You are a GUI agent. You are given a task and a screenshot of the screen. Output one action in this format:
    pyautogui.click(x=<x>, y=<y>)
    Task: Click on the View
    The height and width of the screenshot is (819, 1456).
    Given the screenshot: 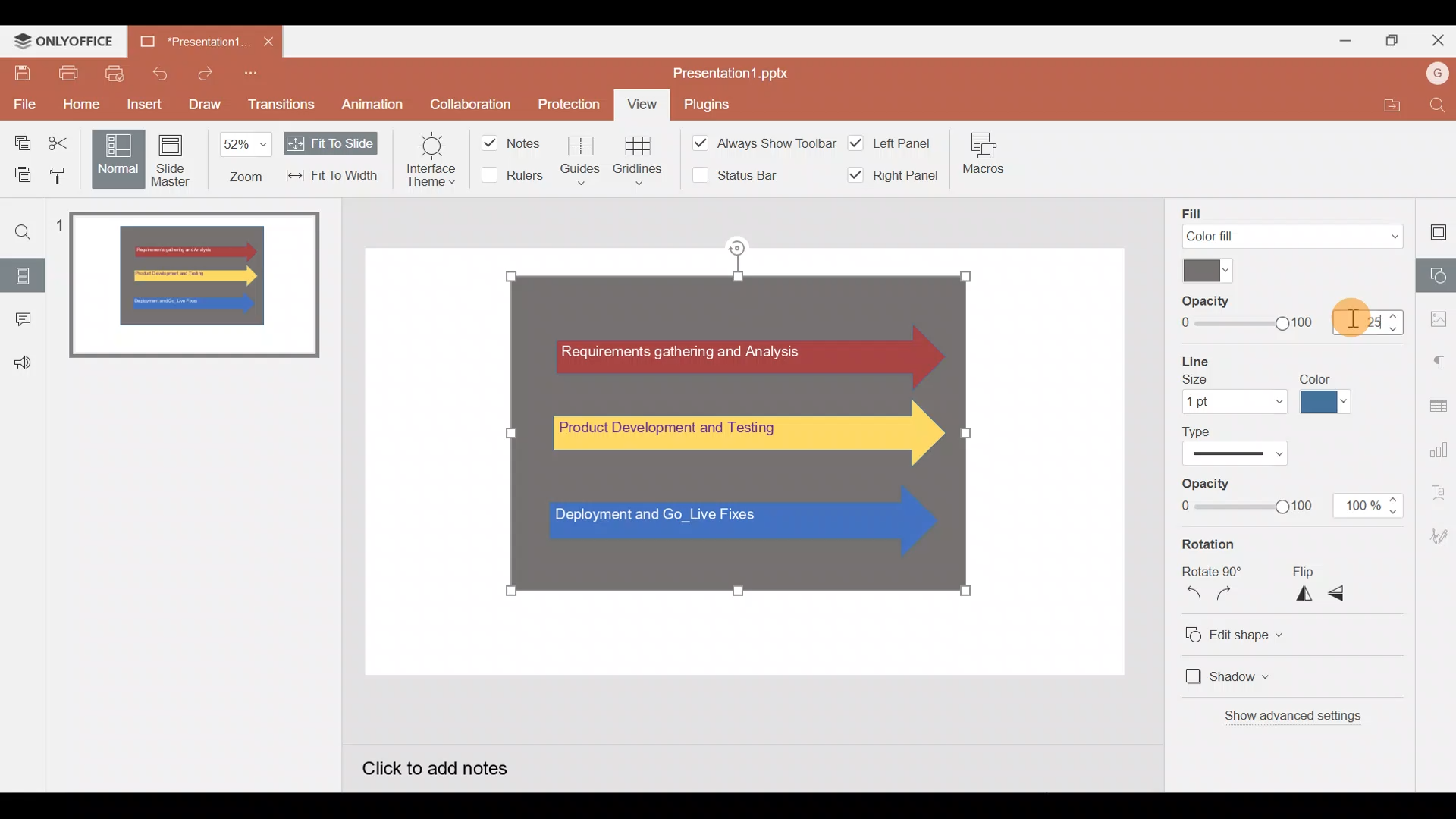 What is the action you would take?
    pyautogui.click(x=643, y=105)
    